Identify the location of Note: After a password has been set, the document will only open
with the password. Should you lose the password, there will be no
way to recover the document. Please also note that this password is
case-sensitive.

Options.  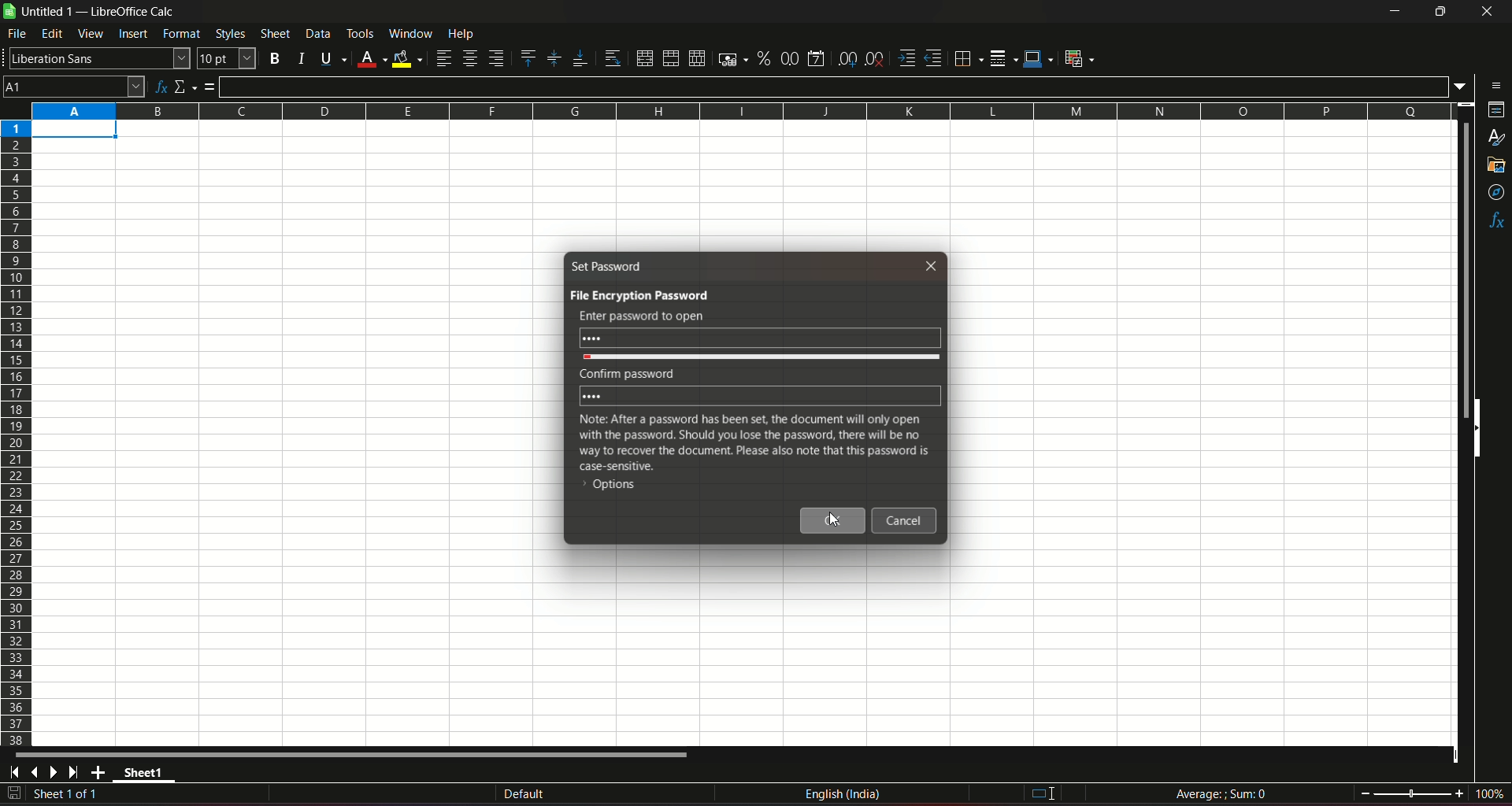
(753, 453).